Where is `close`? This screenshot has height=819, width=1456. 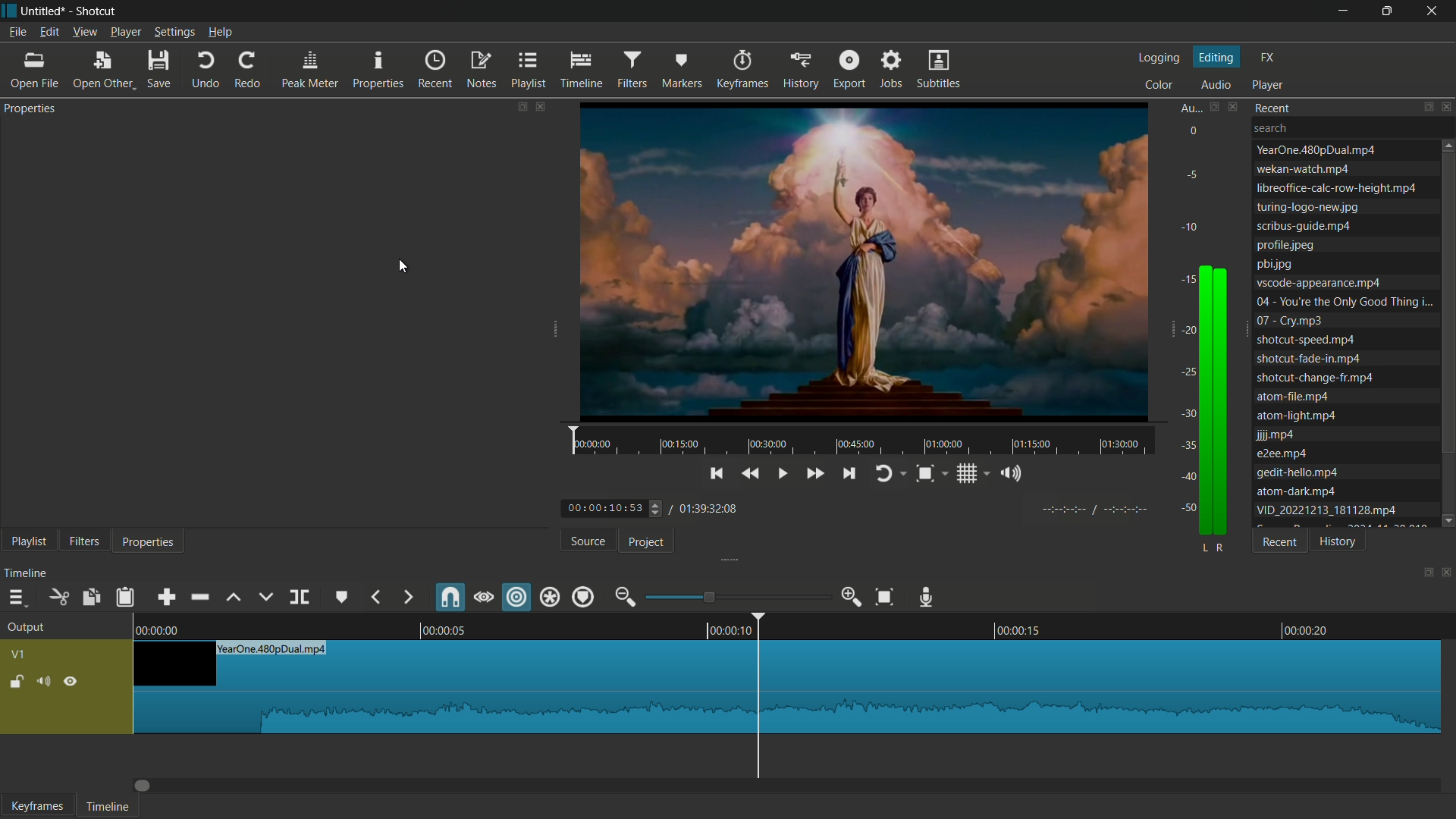
close is located at coordinates (1447, 572).